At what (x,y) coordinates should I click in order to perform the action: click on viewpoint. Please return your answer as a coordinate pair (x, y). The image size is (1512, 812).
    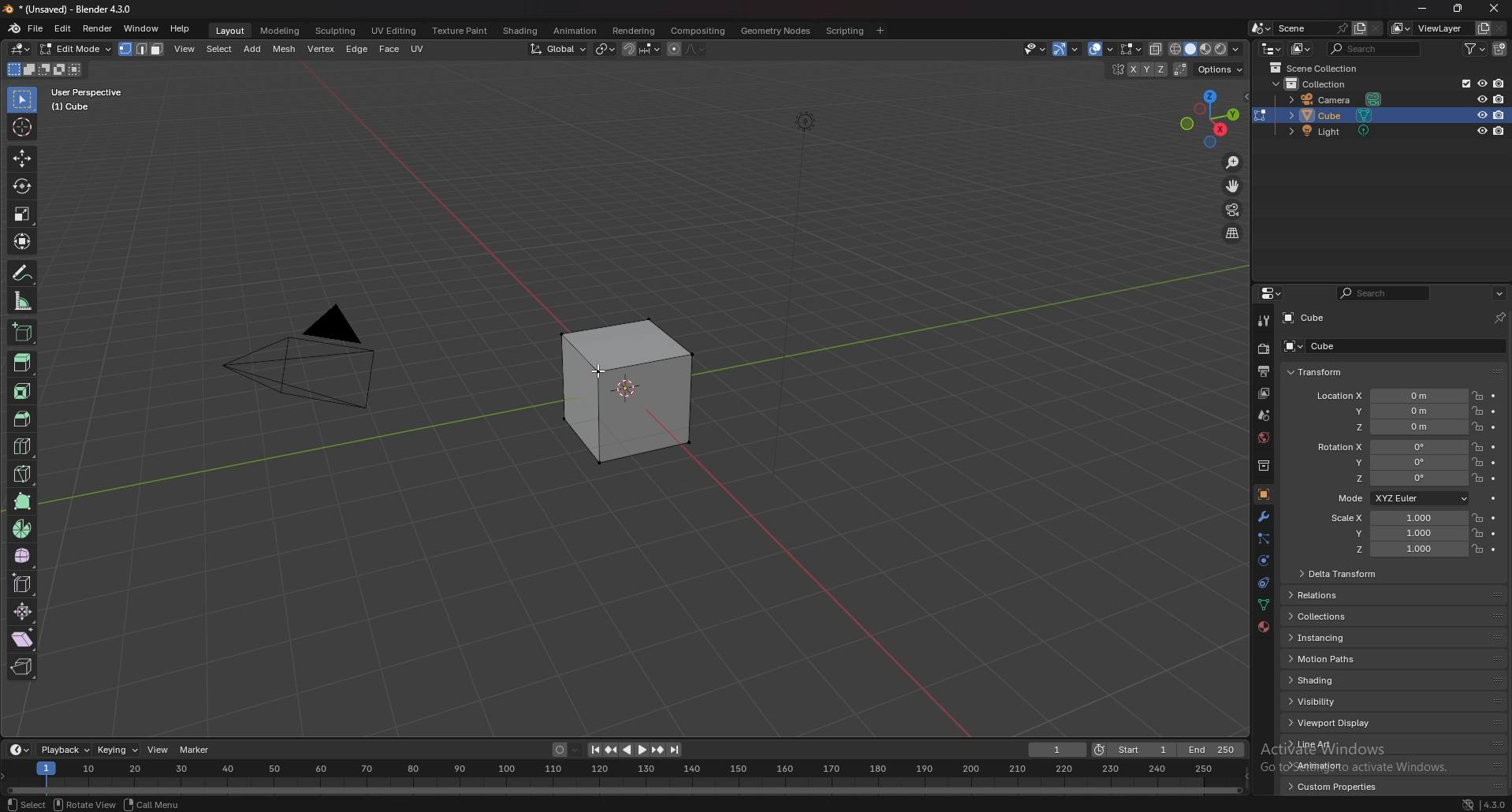
    Looking at the image, I should click on (1210, 118).